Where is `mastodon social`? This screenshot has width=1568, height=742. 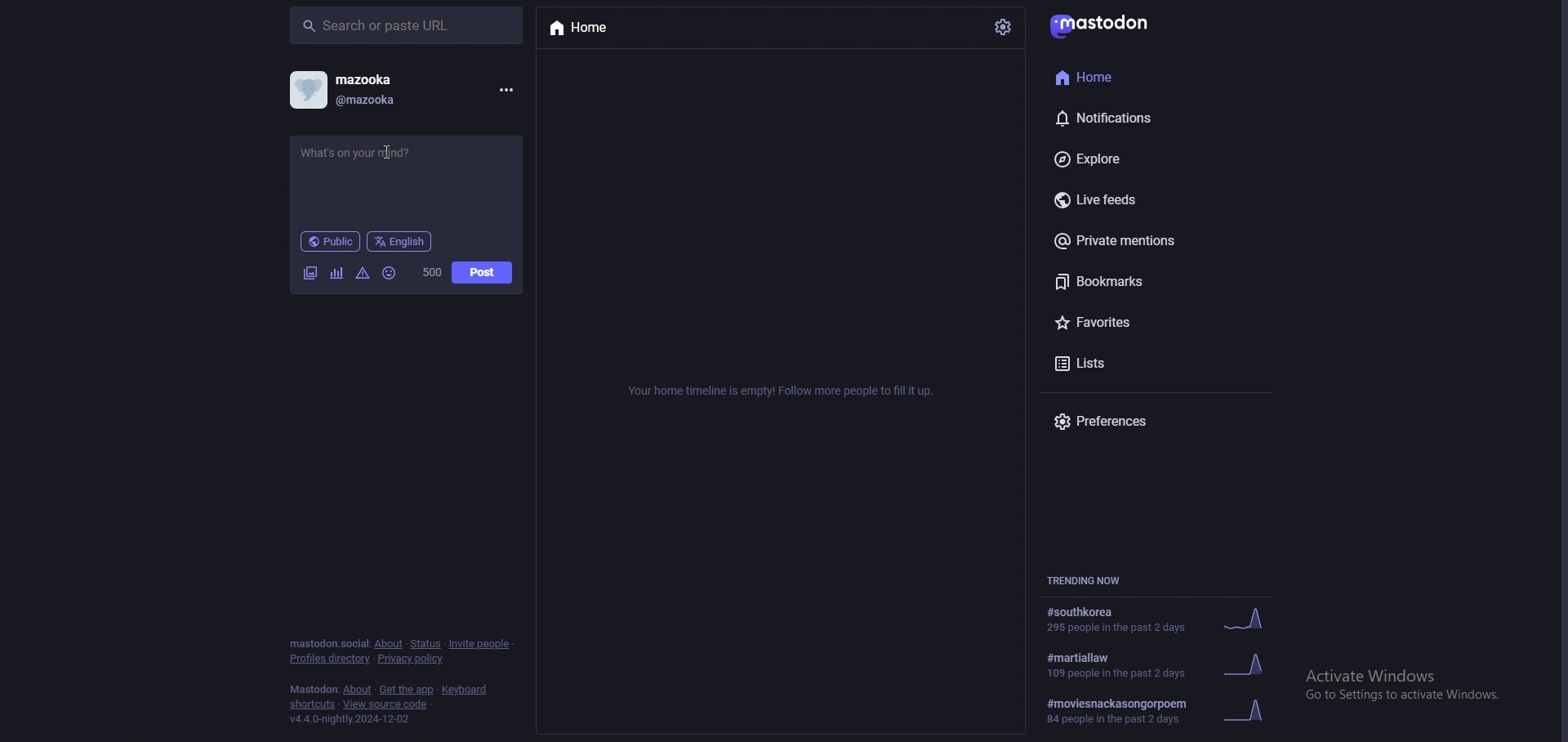 mastodon social is located at coordinates (327, 643).